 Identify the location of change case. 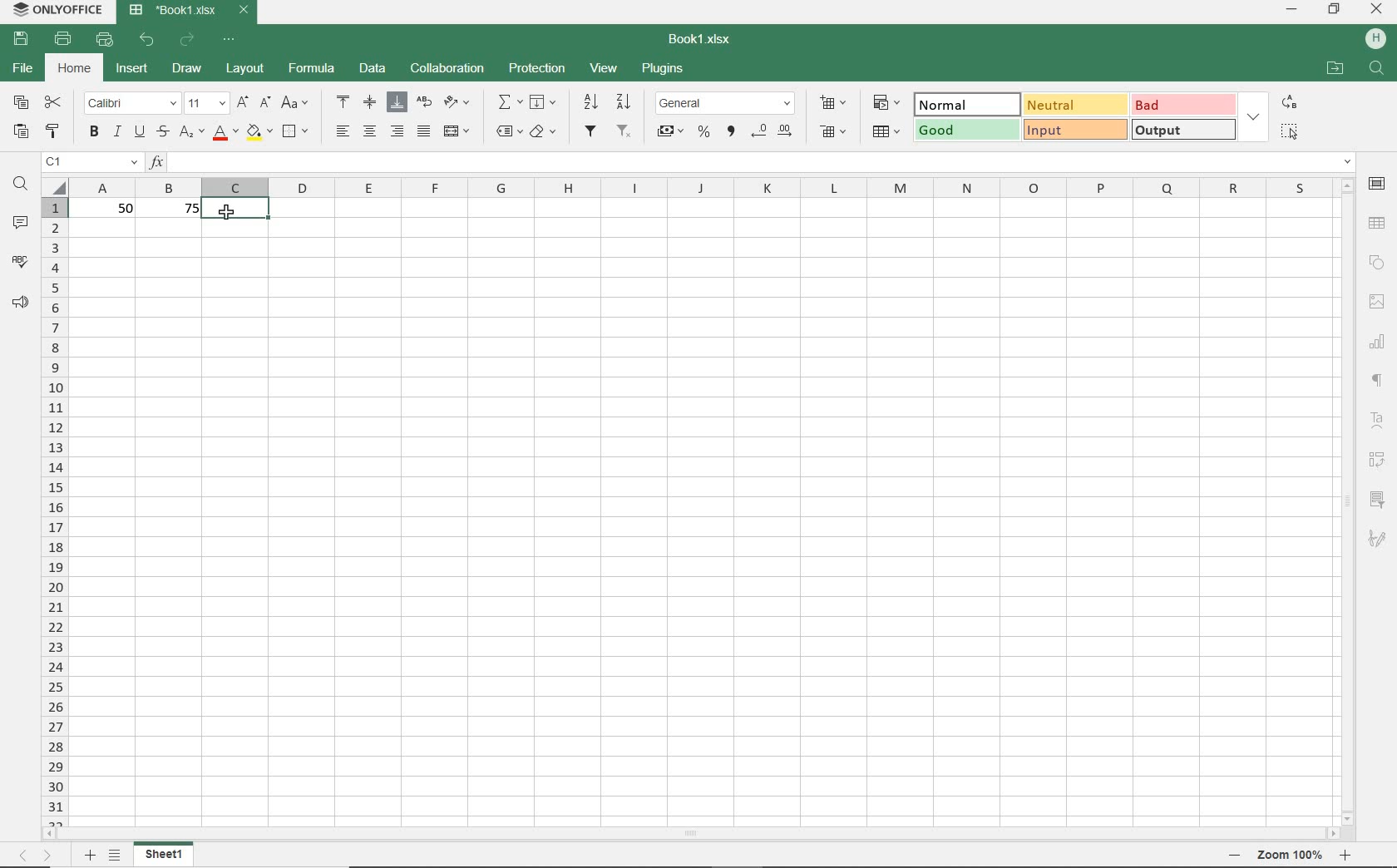
(295, 103).